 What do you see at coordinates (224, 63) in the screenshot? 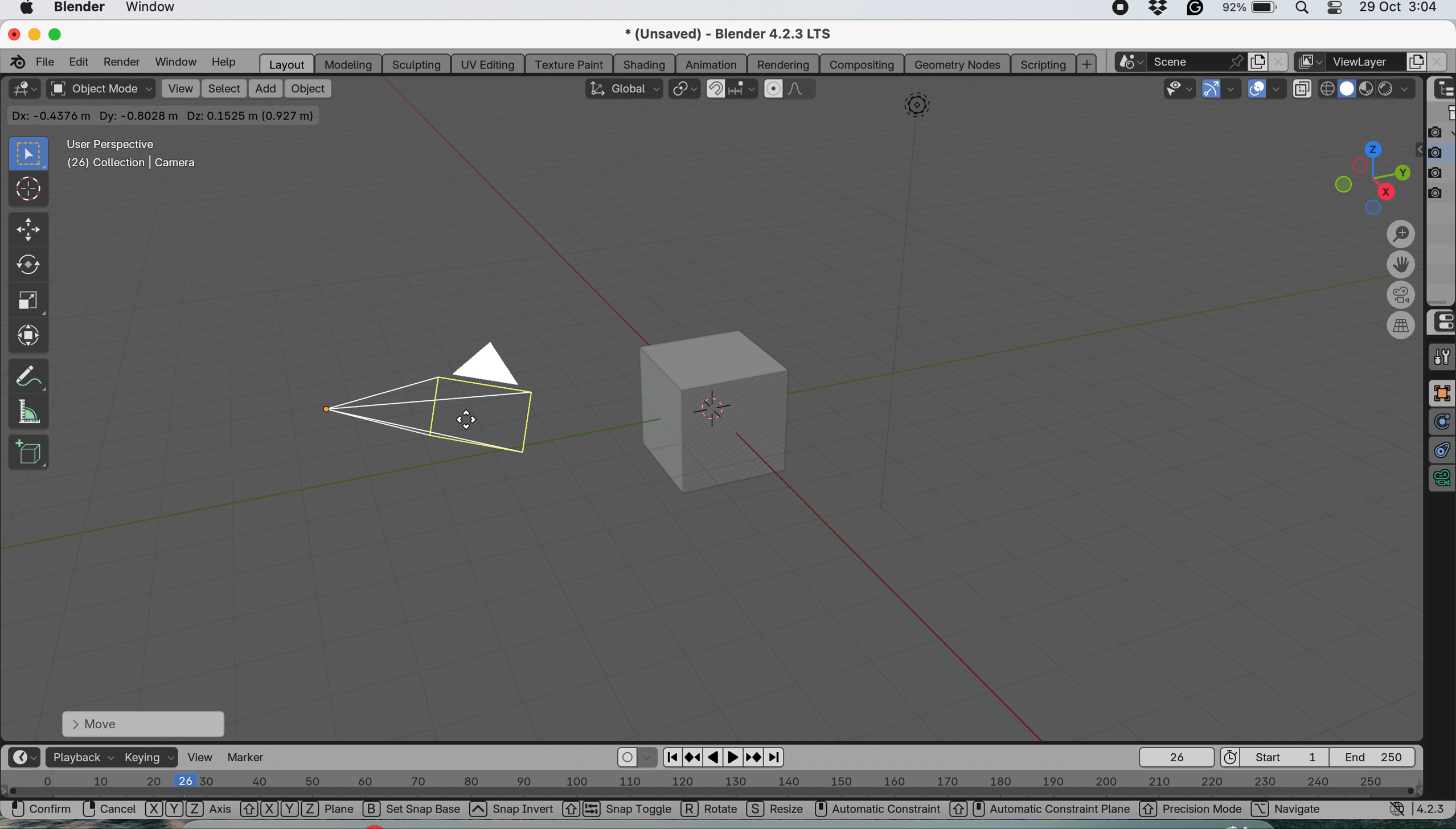
I see `help` at bounding box center [224, 63].